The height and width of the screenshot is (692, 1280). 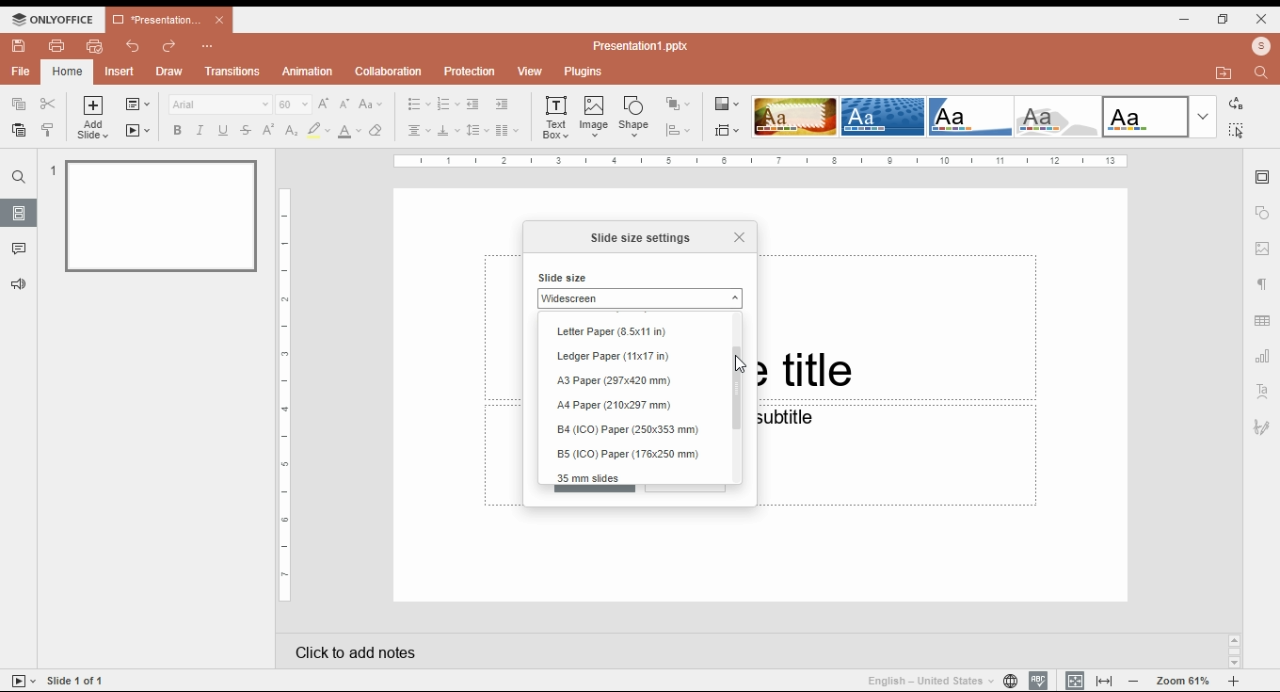 What do you see at coordinates (19, 177) in the screenshot?
I see `find` at bounding box center [19, 177].